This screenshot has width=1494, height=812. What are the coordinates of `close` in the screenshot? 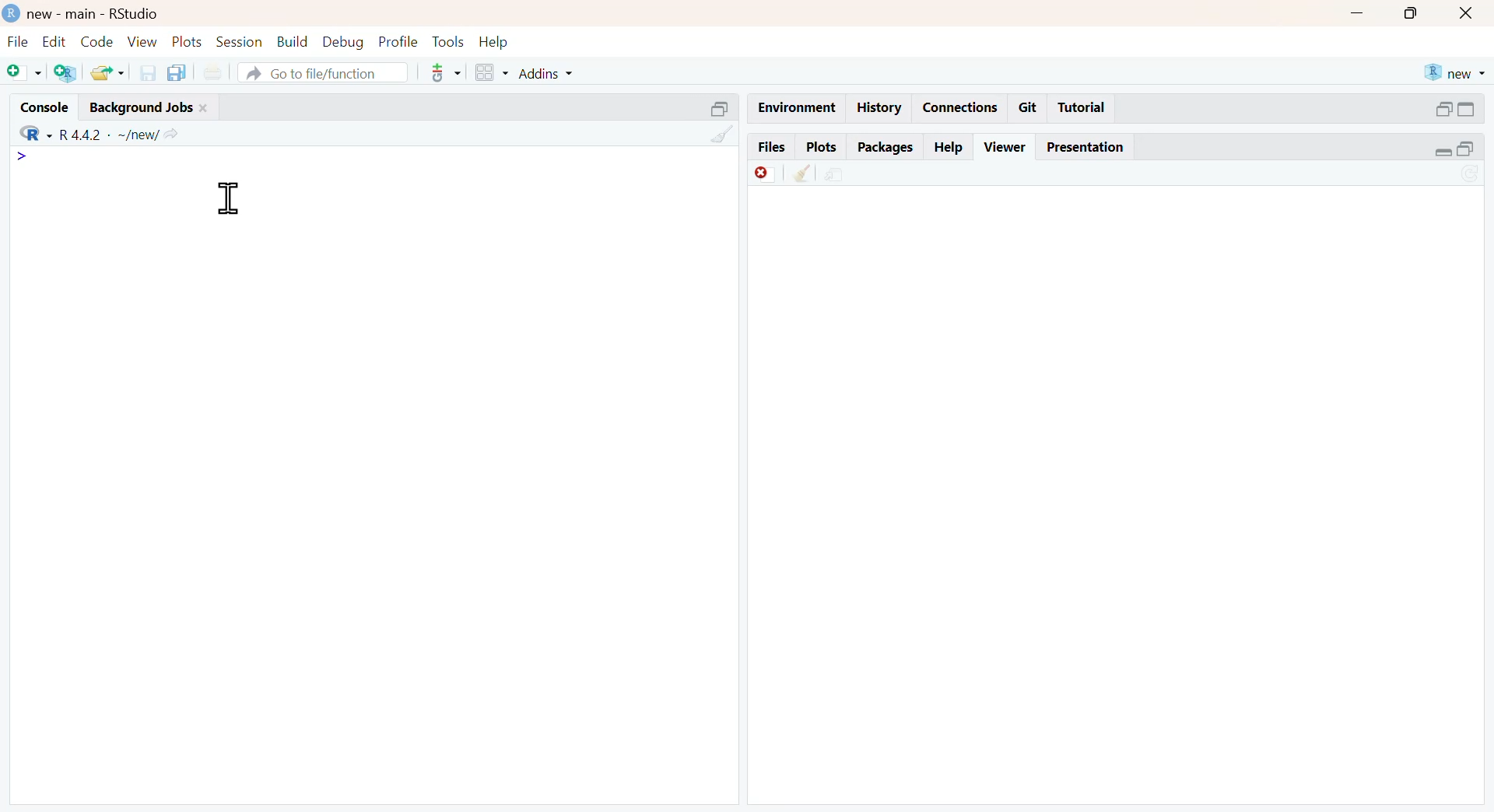 It's located at (205, 108).